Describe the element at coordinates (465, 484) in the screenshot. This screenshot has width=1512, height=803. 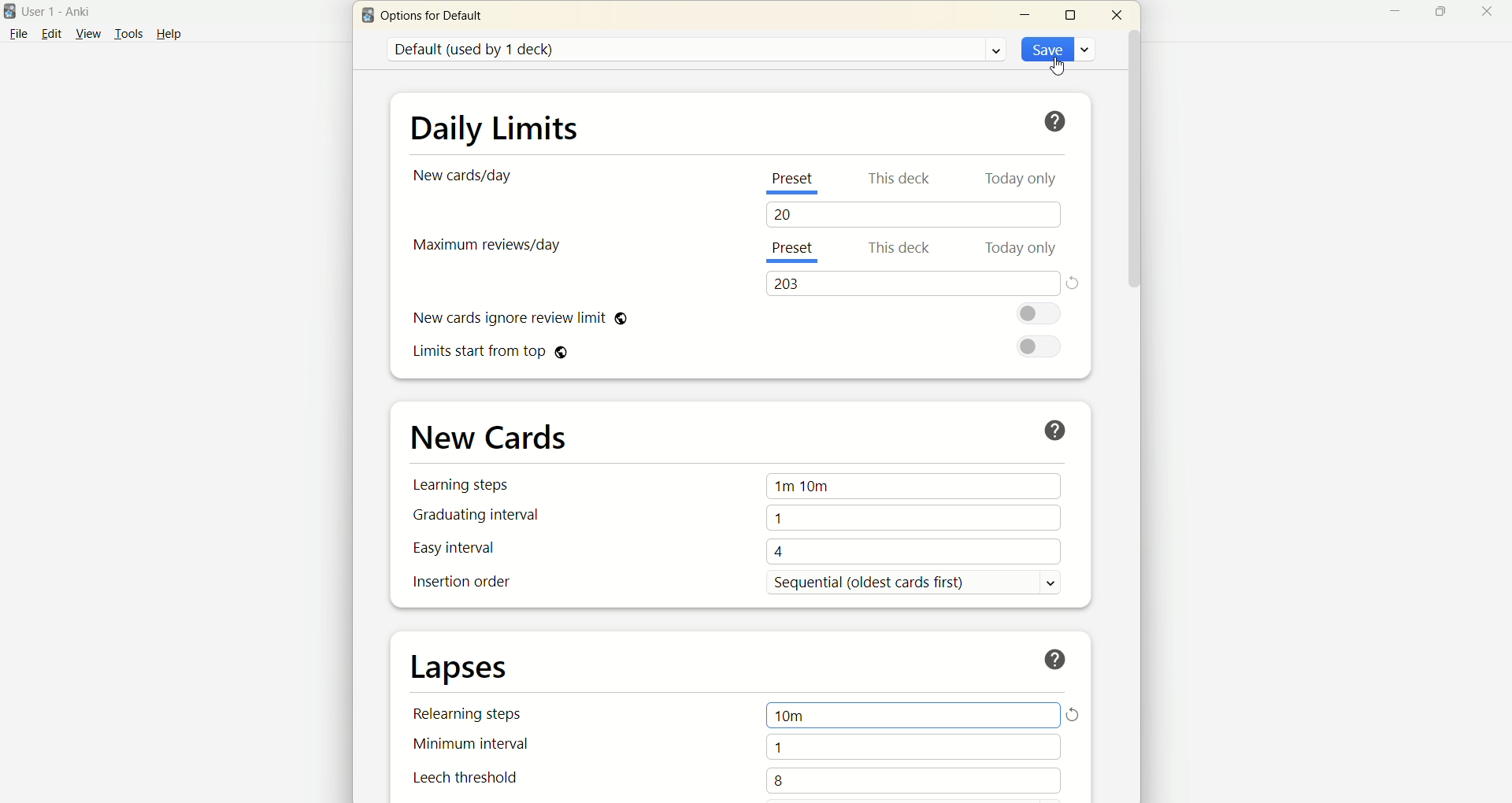
I see `learning steps` at that location.